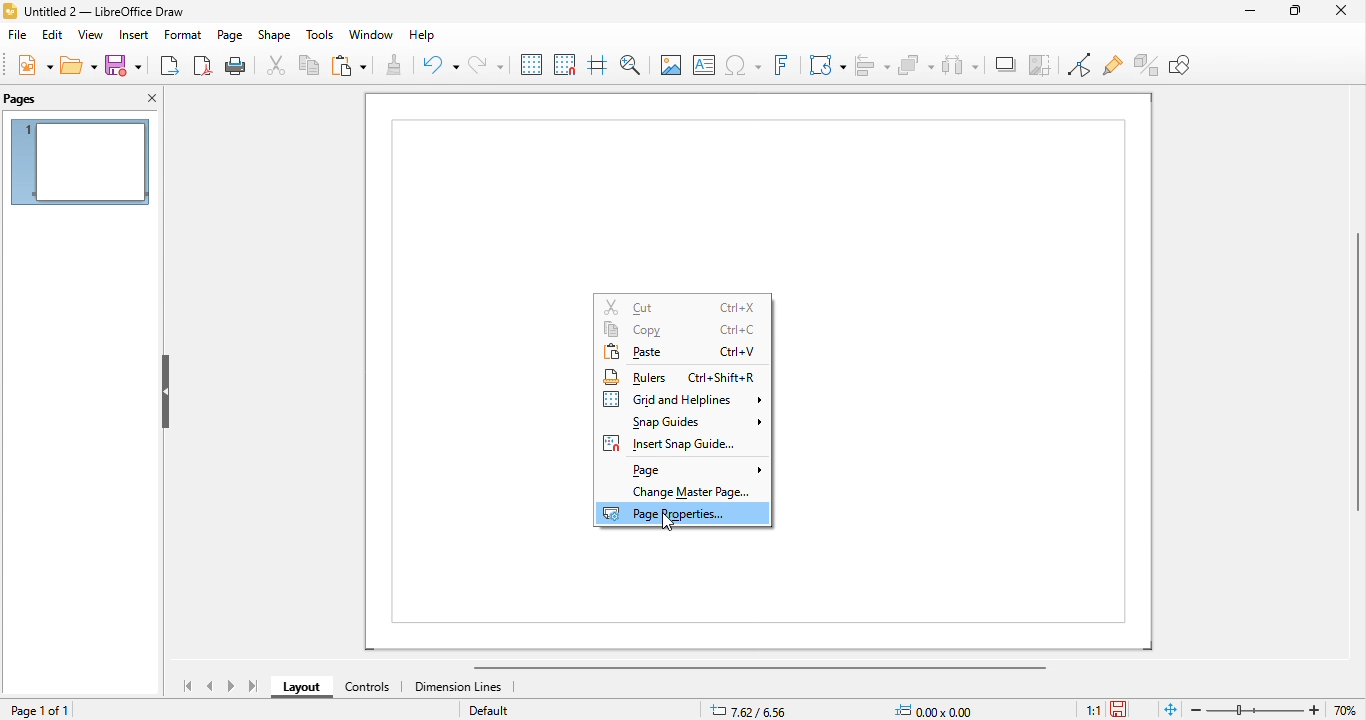  What do you see at coordinates (277, 68) in the screenshot?
I see `cut` at bounding box center [277, 68].